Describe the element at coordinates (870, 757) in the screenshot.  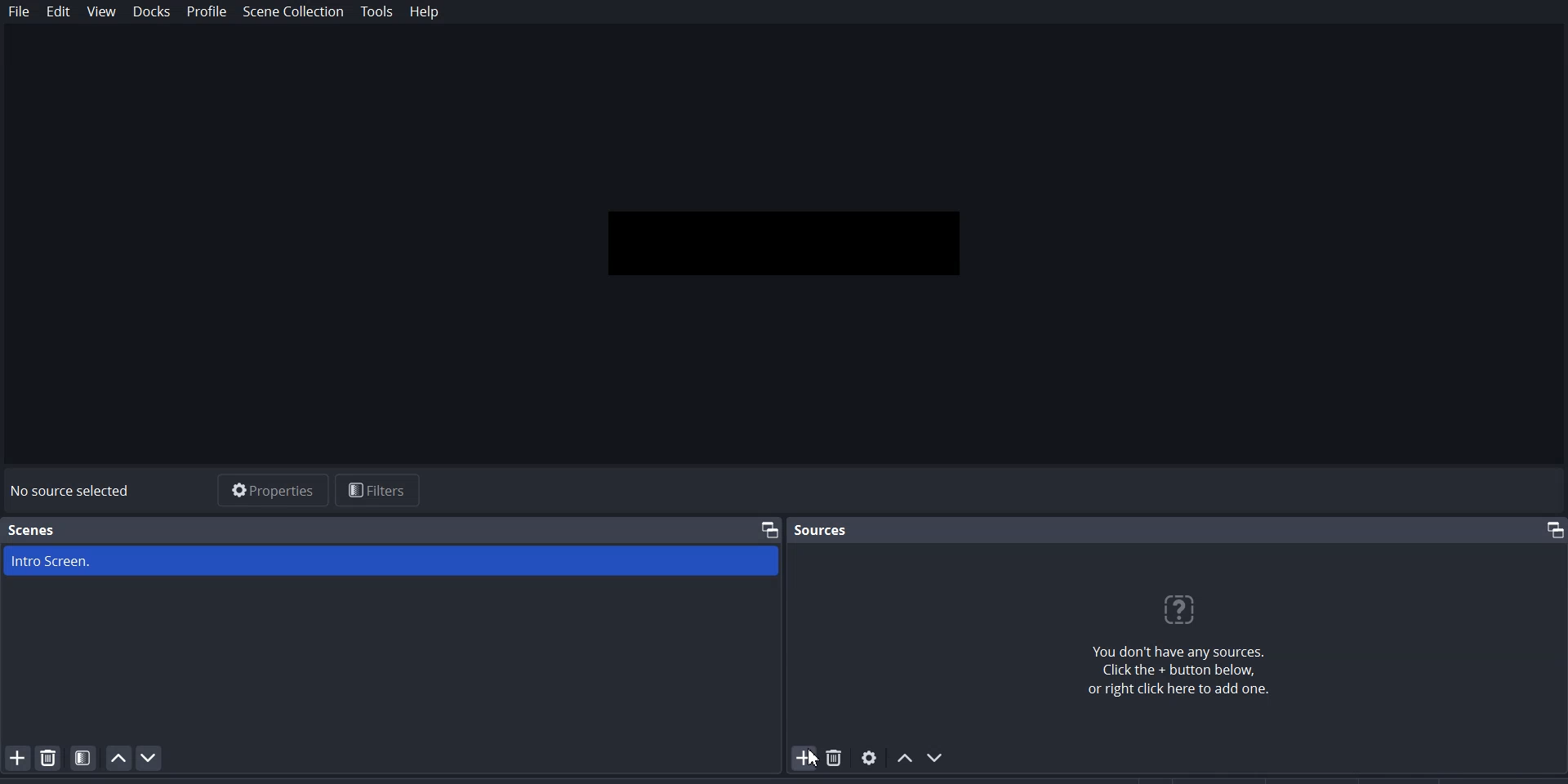
I see `open source properties` at that location.